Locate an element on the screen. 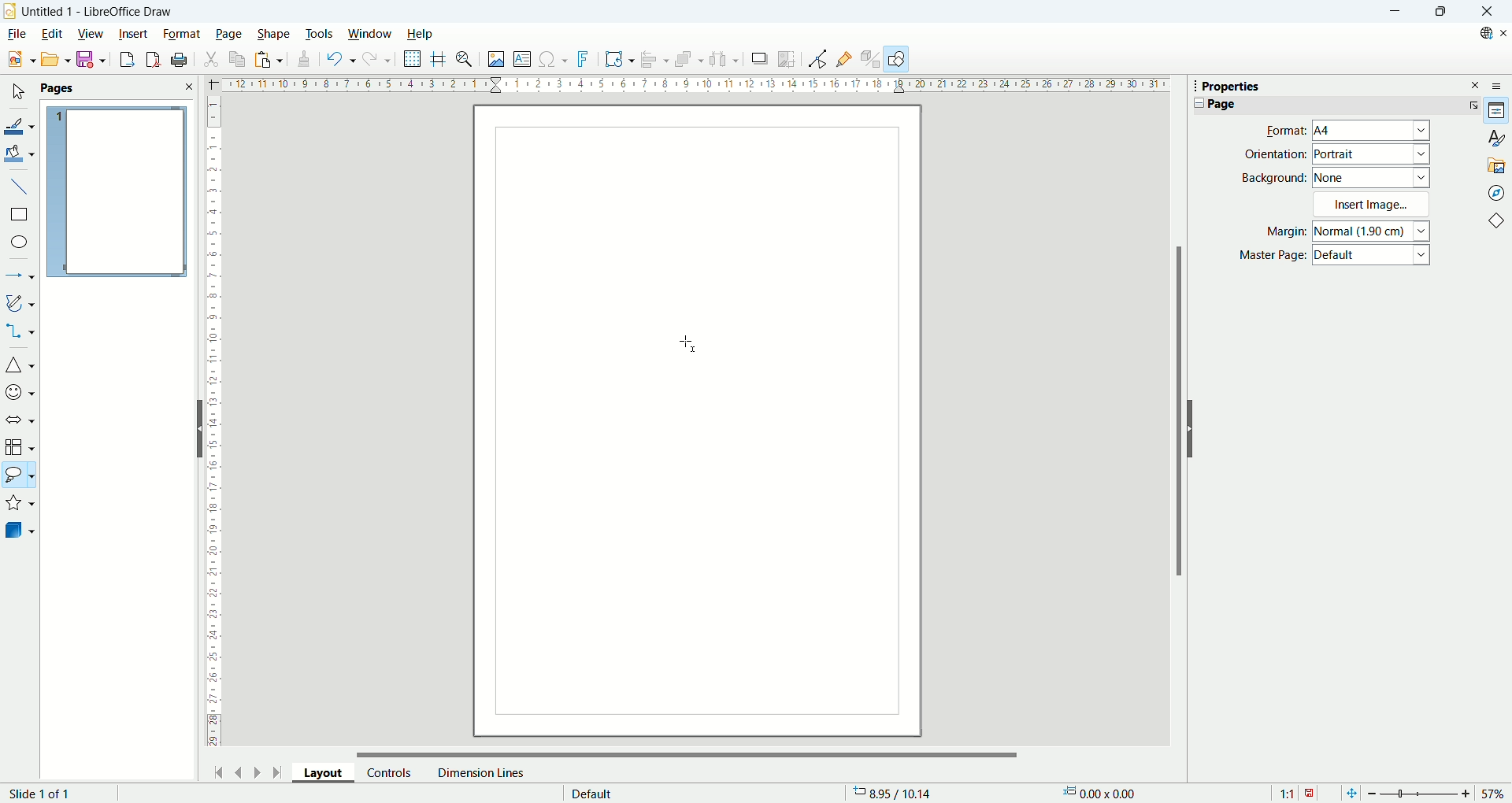 This screenshot has height=803, width=1512. Properties is located at coordinates (1231, 87).